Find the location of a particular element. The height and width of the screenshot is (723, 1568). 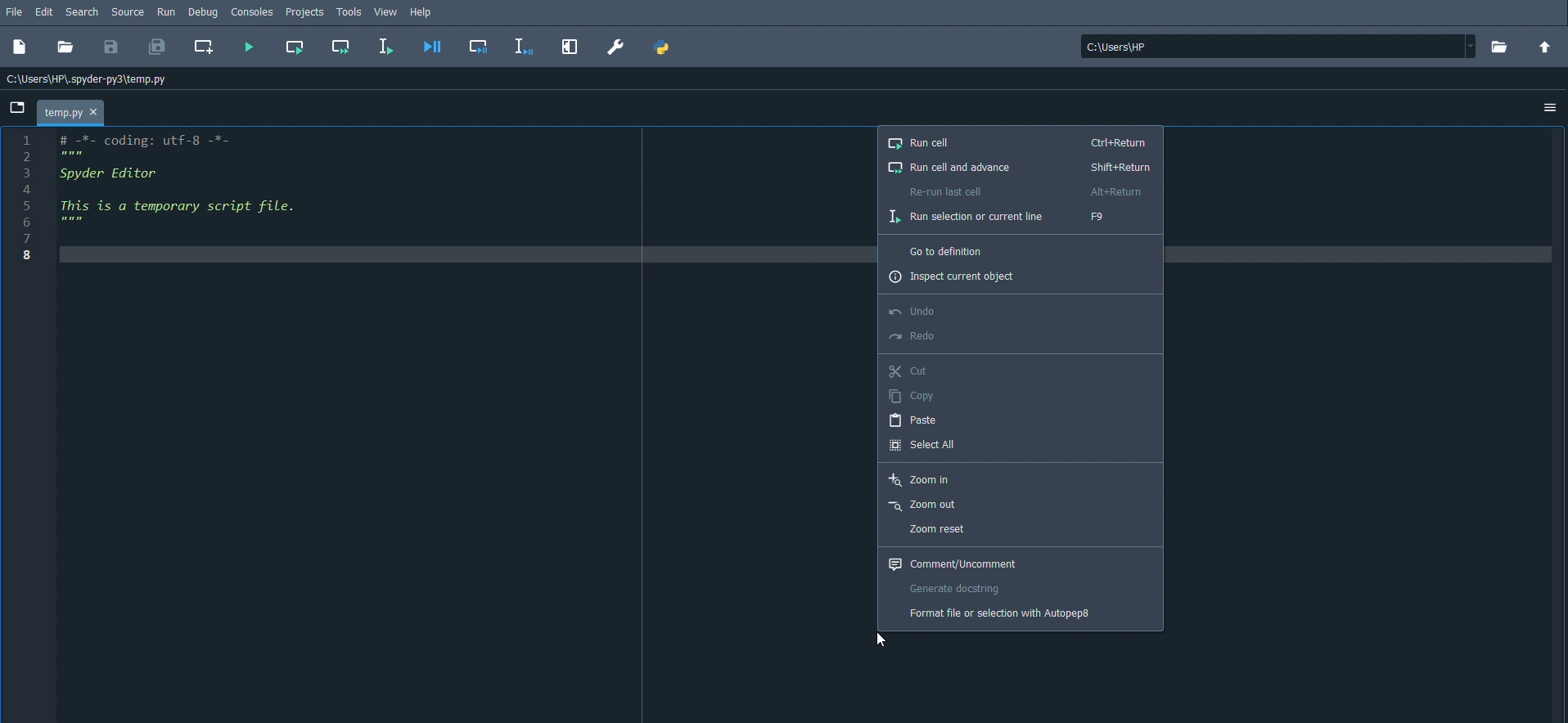

Re-run last cell is located at coordinates (1018, 191).